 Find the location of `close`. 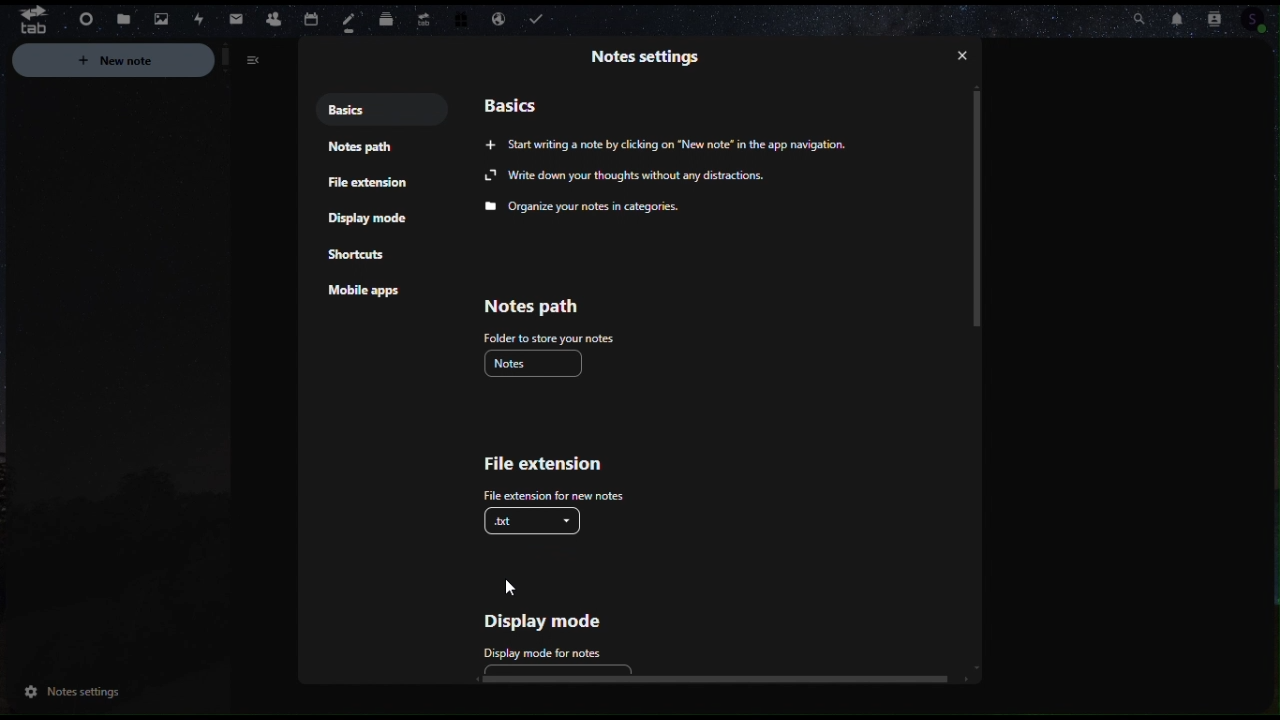

close is located at coordinates (966, 56).